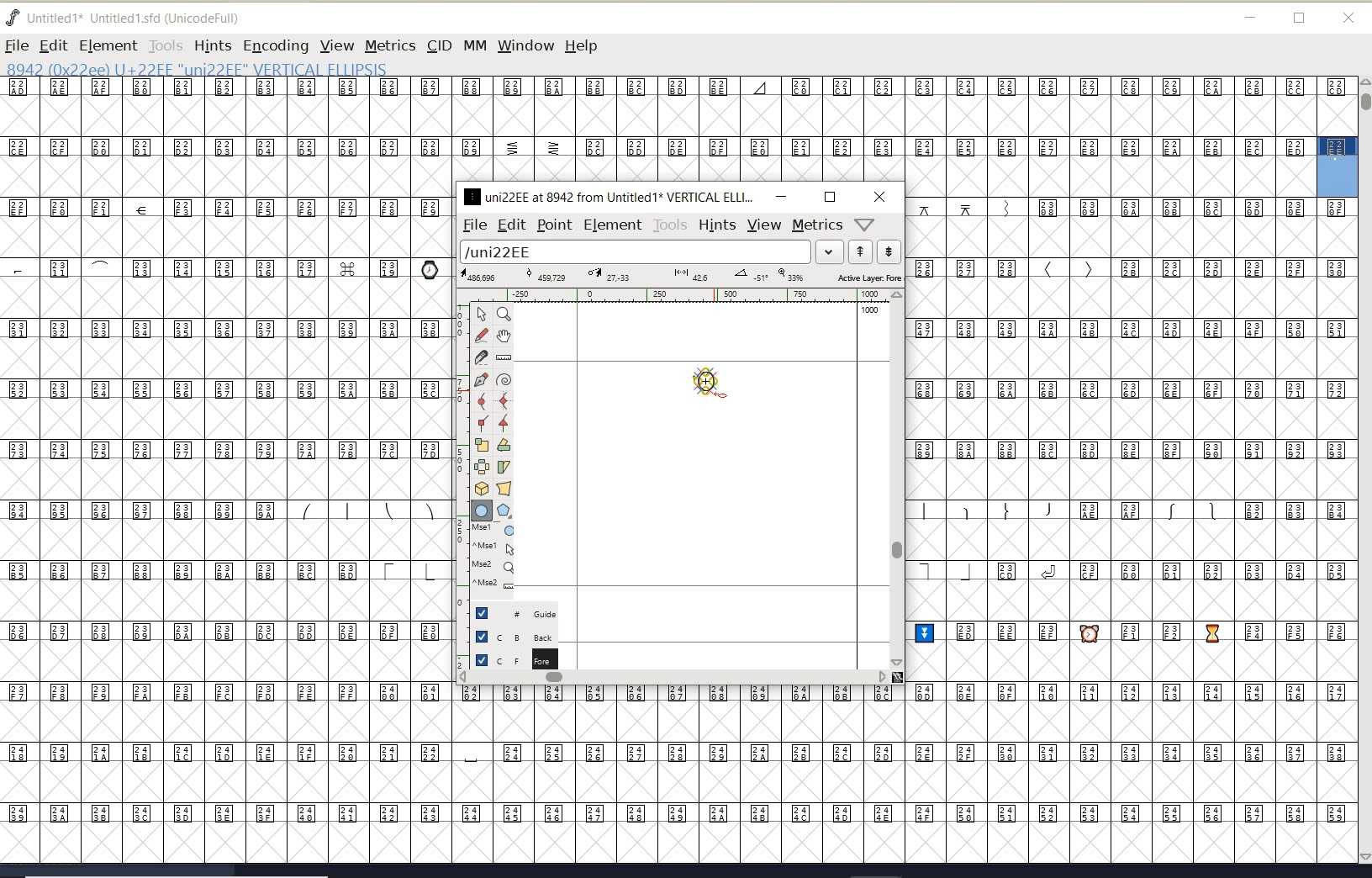  I want to click on ENCODING, so click(276, 46).